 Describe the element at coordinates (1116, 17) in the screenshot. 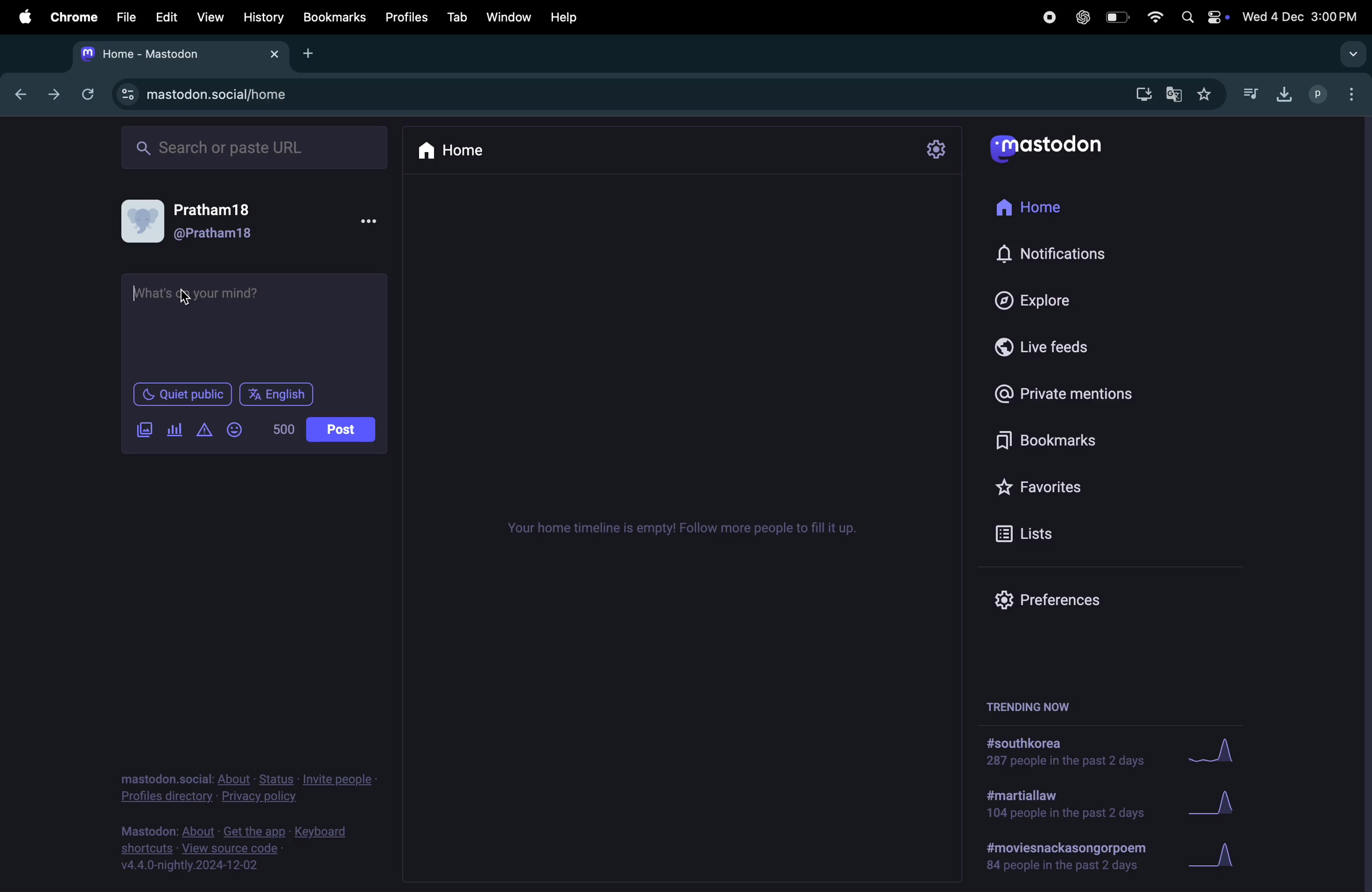

I see `battery` at that location.